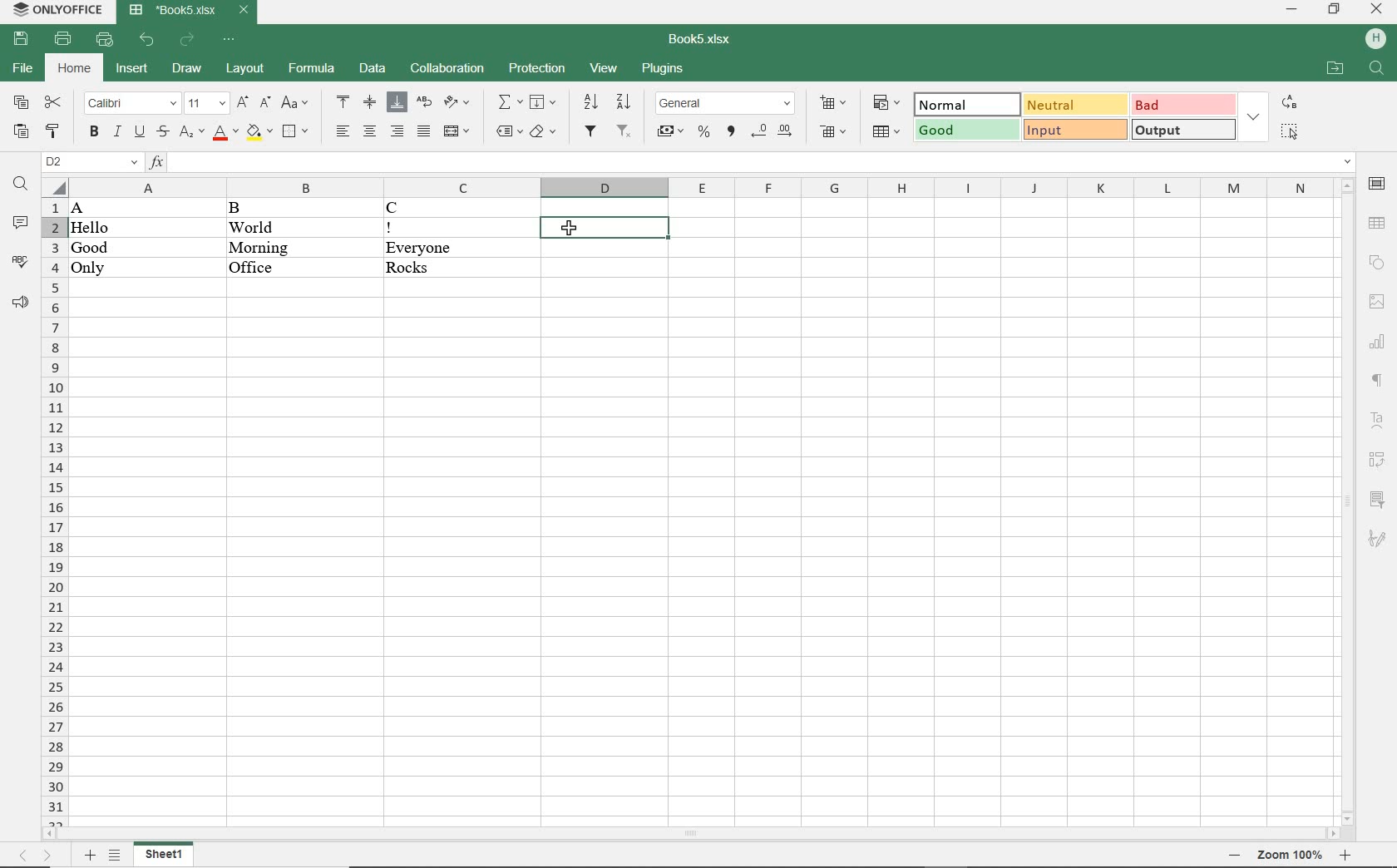 This screenshot has height=868, width=1397. Describe the element at coordinates (247, 69) in the screenshot. I see `LAYOUT` at that location.